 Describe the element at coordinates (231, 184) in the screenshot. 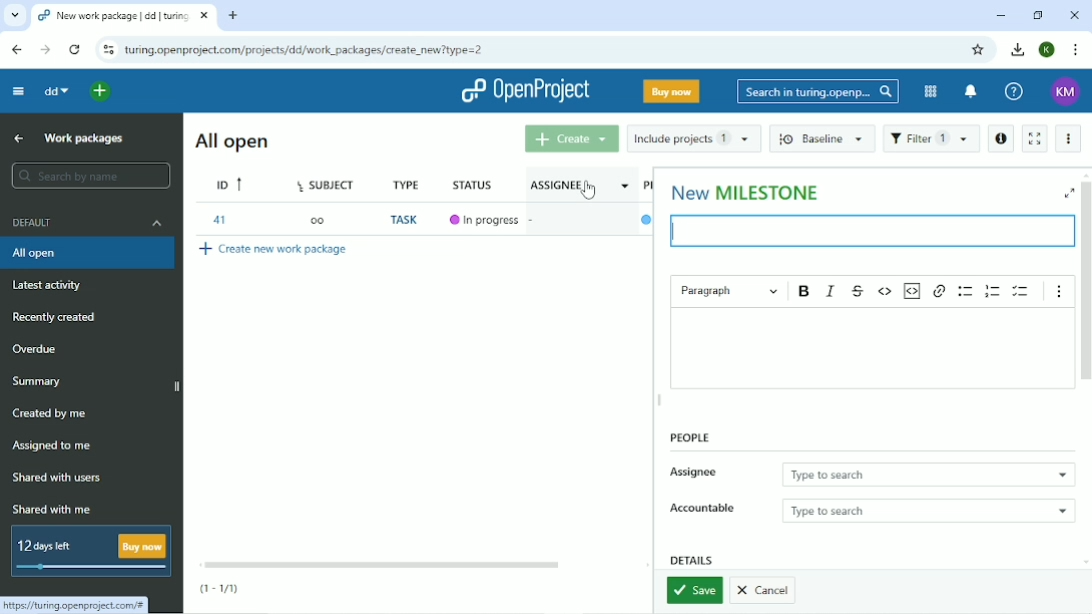

I see `ID` at that location.